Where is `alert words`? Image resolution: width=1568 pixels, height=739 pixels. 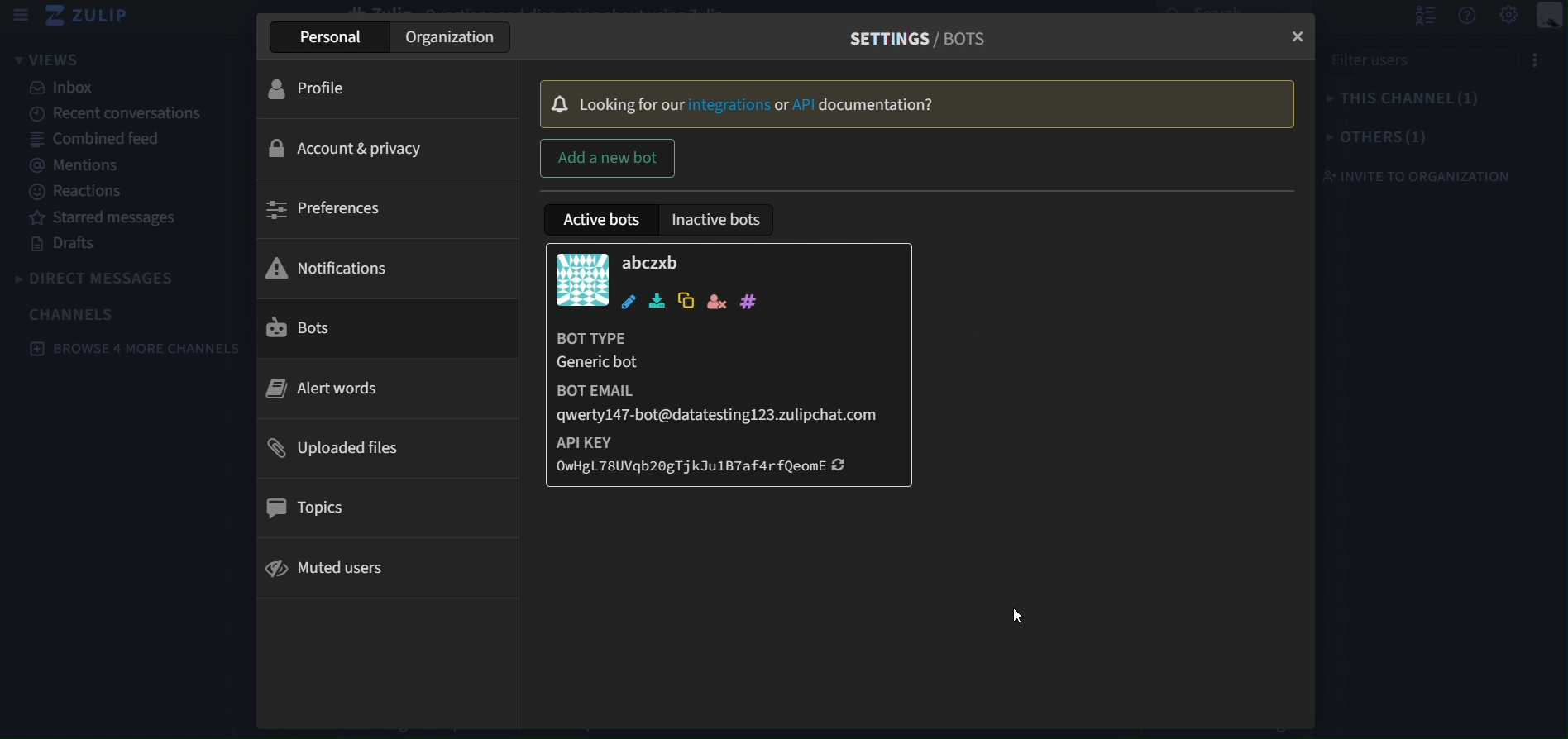
alert words is located at coordinates (340, 388).